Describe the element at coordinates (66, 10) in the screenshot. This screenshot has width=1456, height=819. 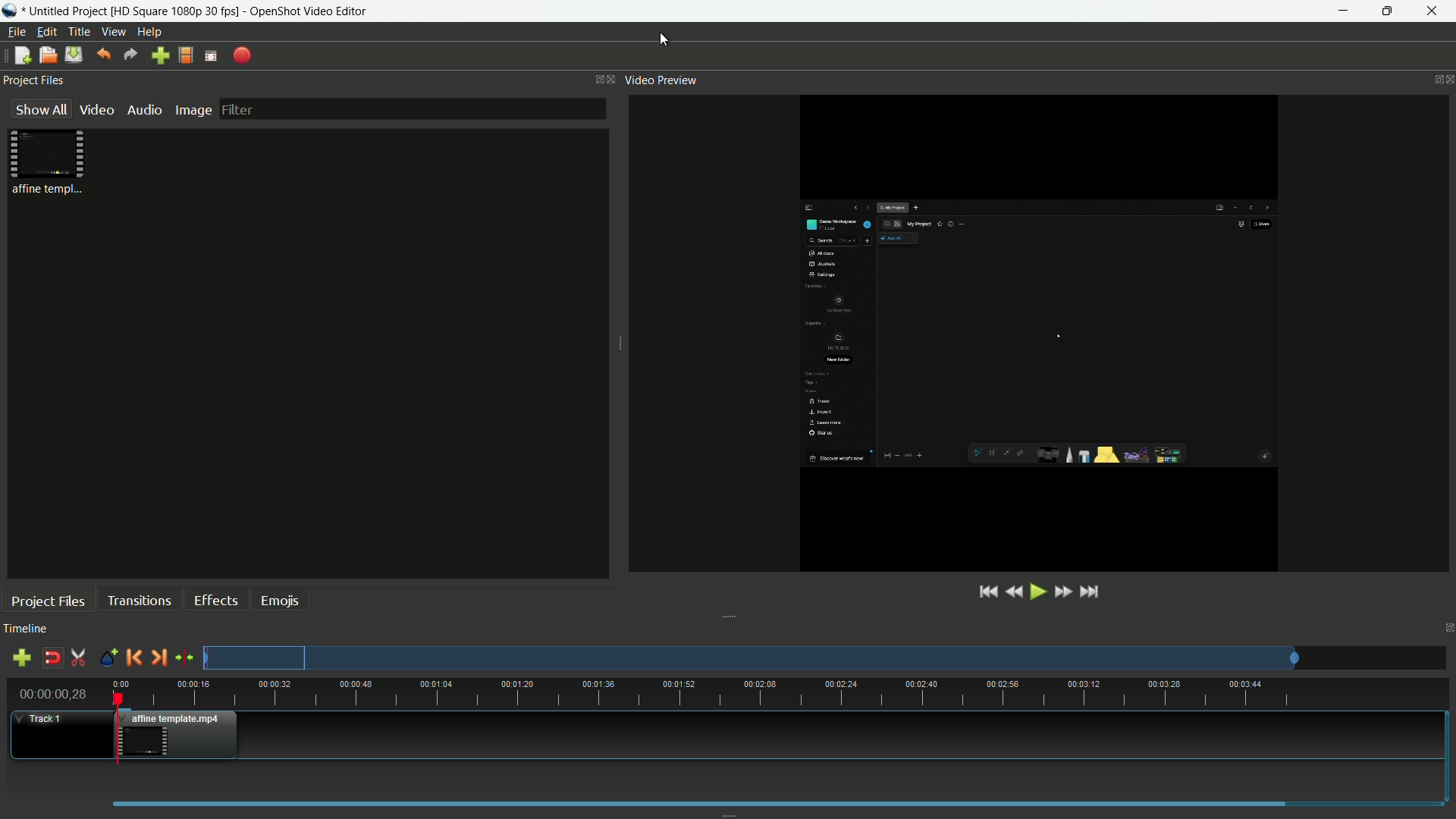
I see `project name` at that location.